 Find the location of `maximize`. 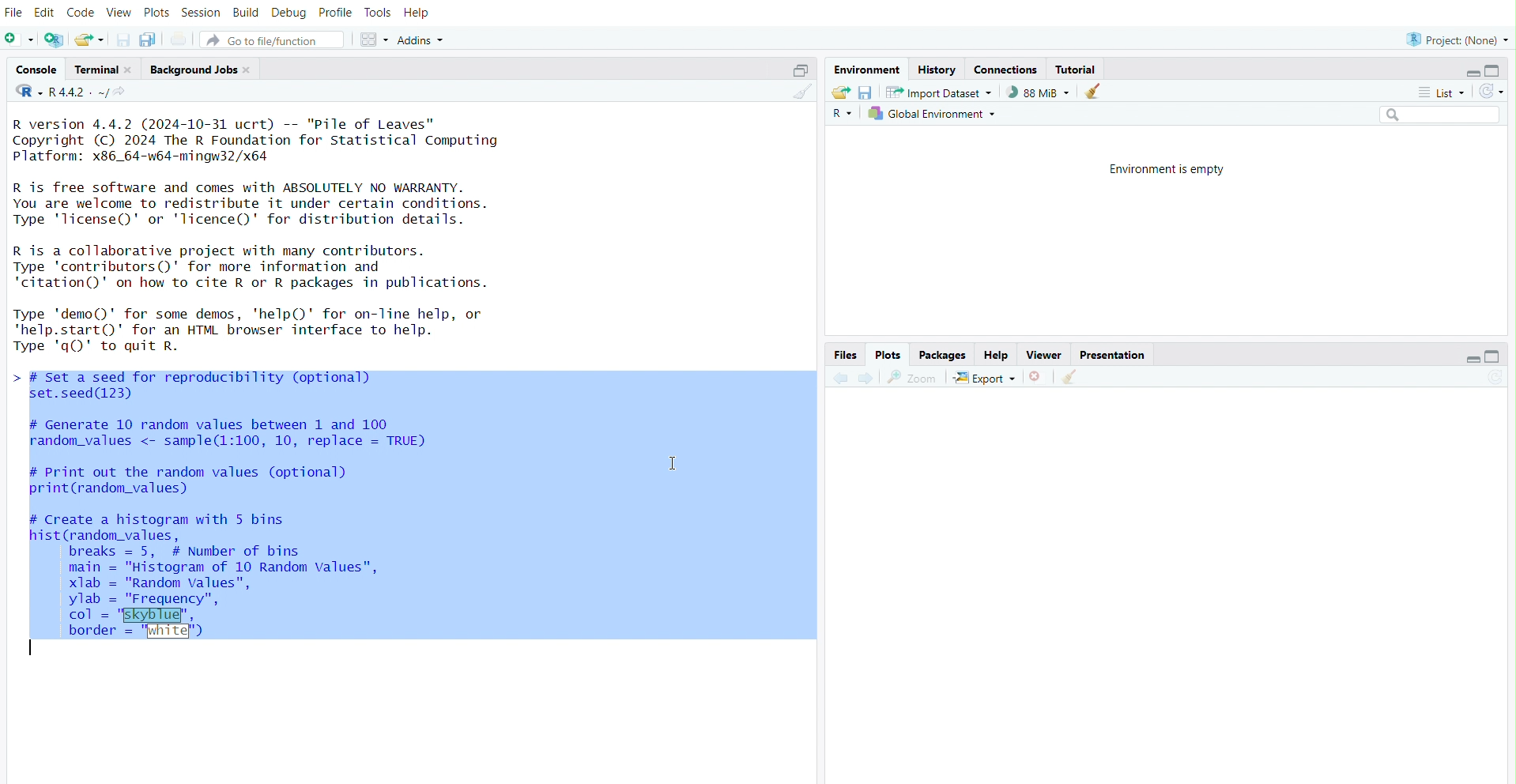

maximize is located at coordinates (1501, 356).